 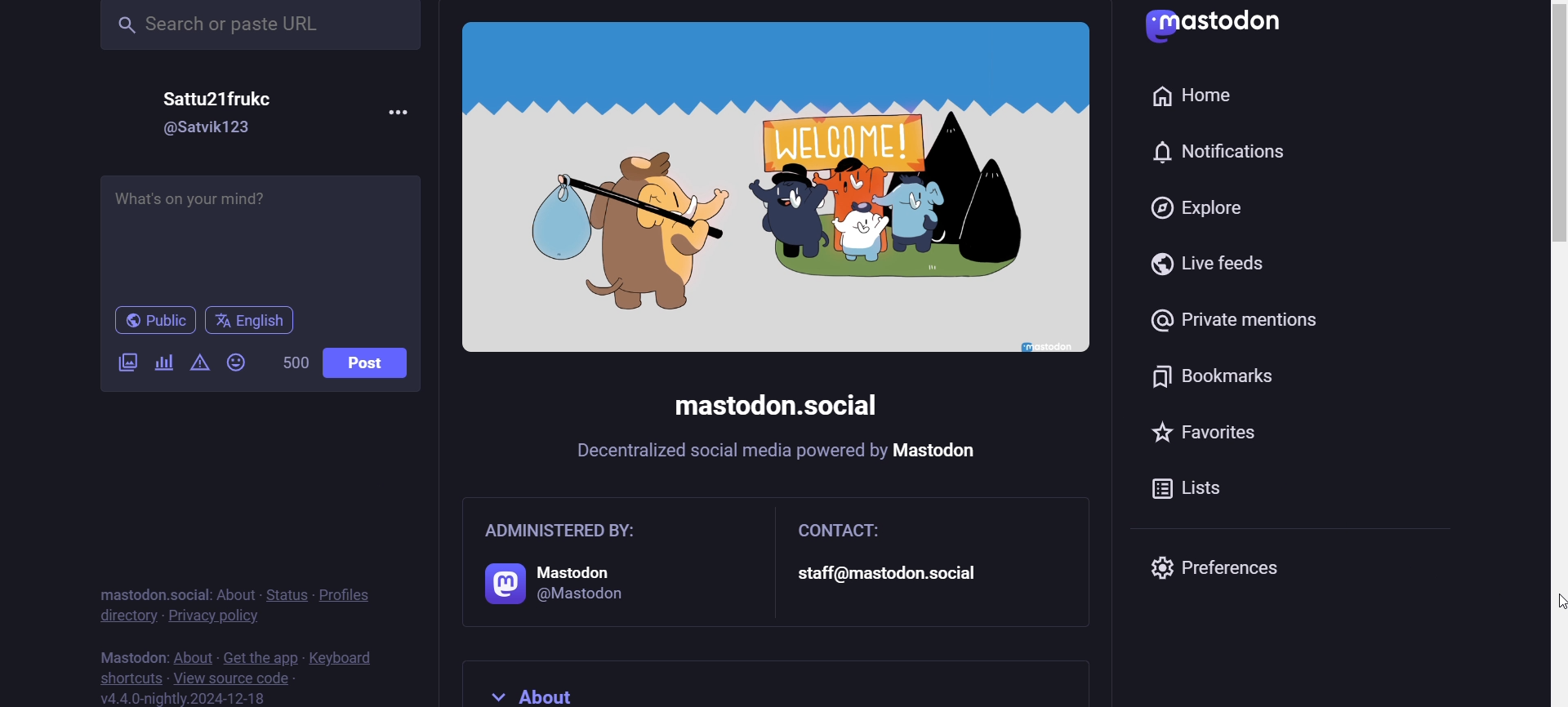 I want to click on english, so click(x=250, y=320).